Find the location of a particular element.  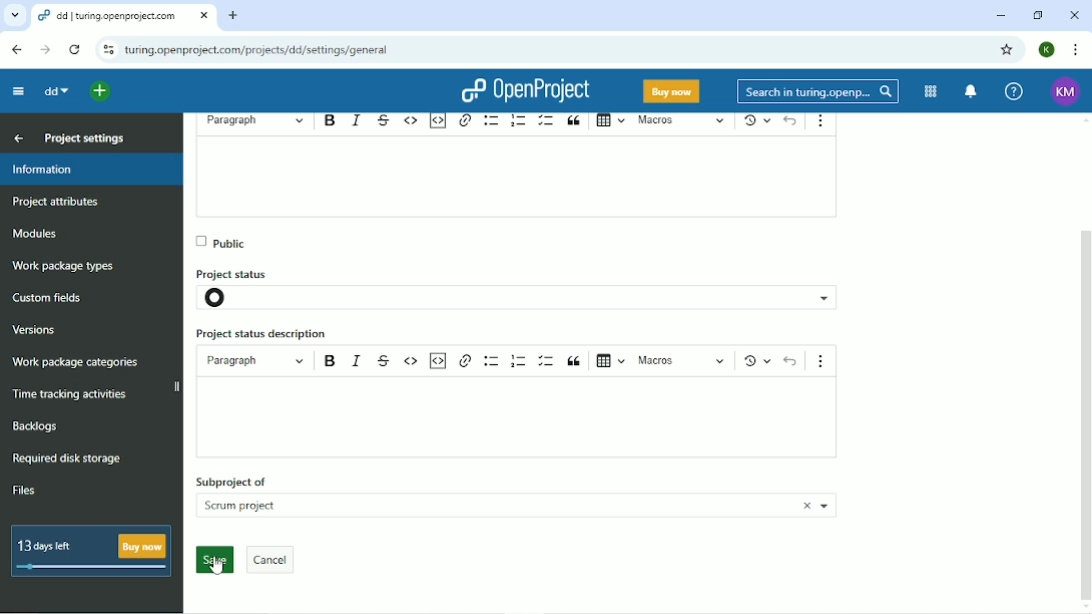

Forward is located at coordinates (45, 51).